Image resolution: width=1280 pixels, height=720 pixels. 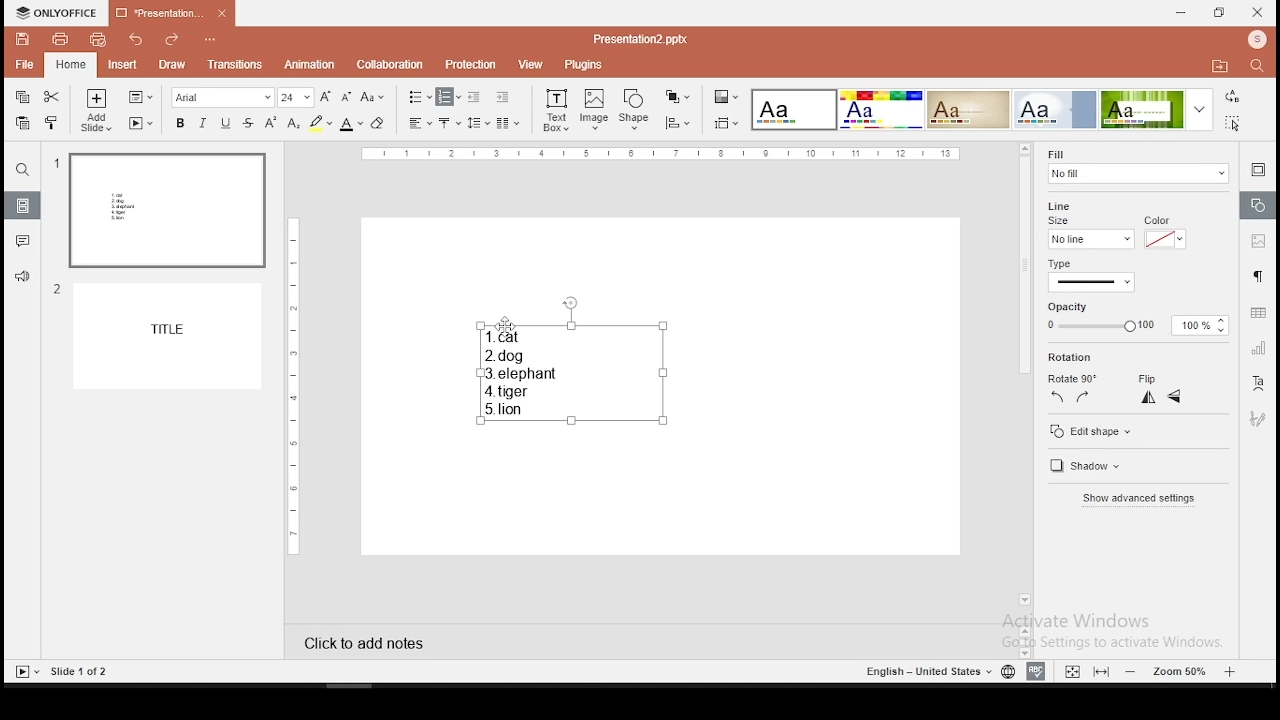 I want to click on fill settings, so click(x=1135, y=164).